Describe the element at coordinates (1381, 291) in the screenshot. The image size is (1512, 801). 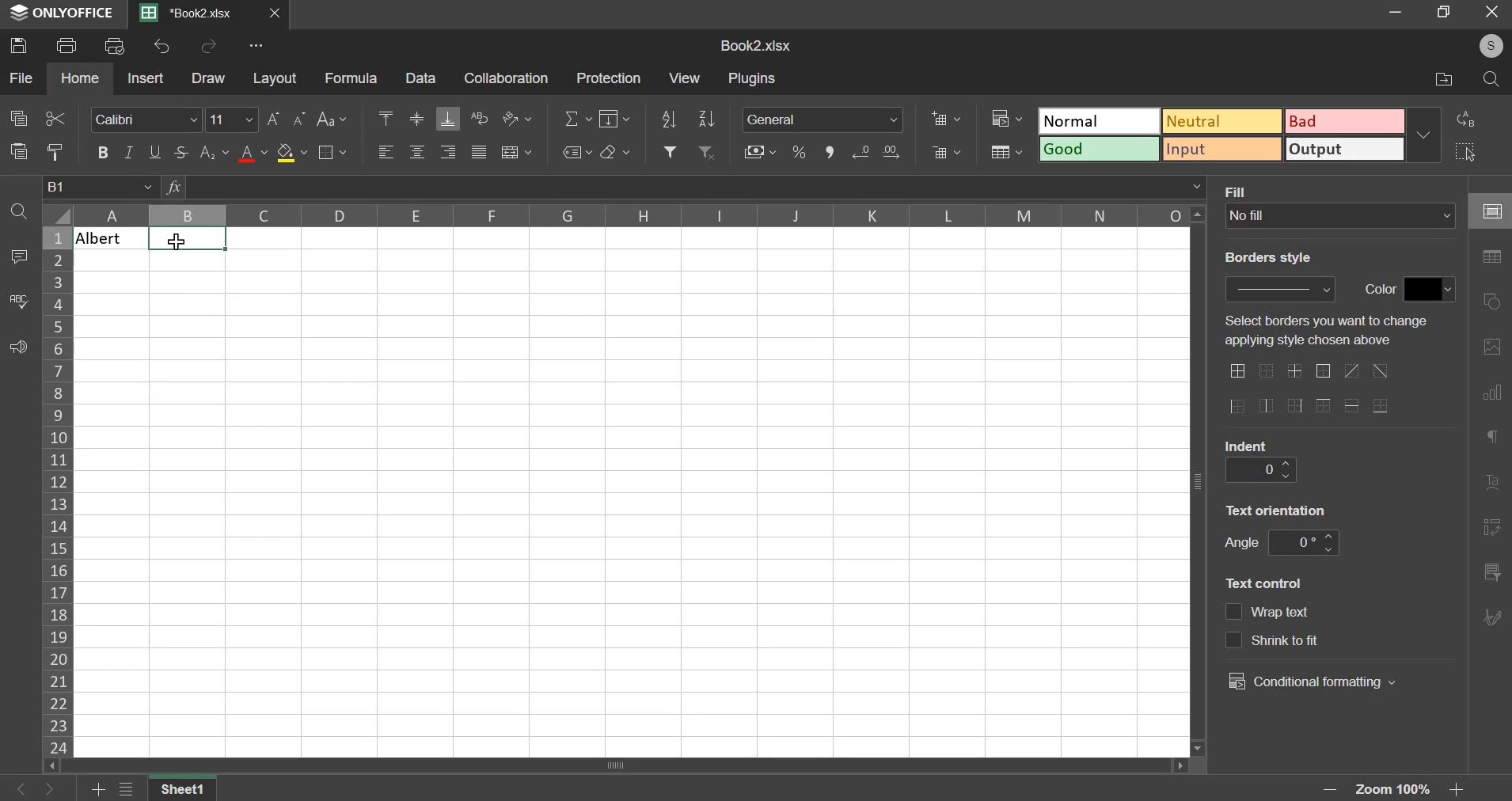
I see `text` at that location.